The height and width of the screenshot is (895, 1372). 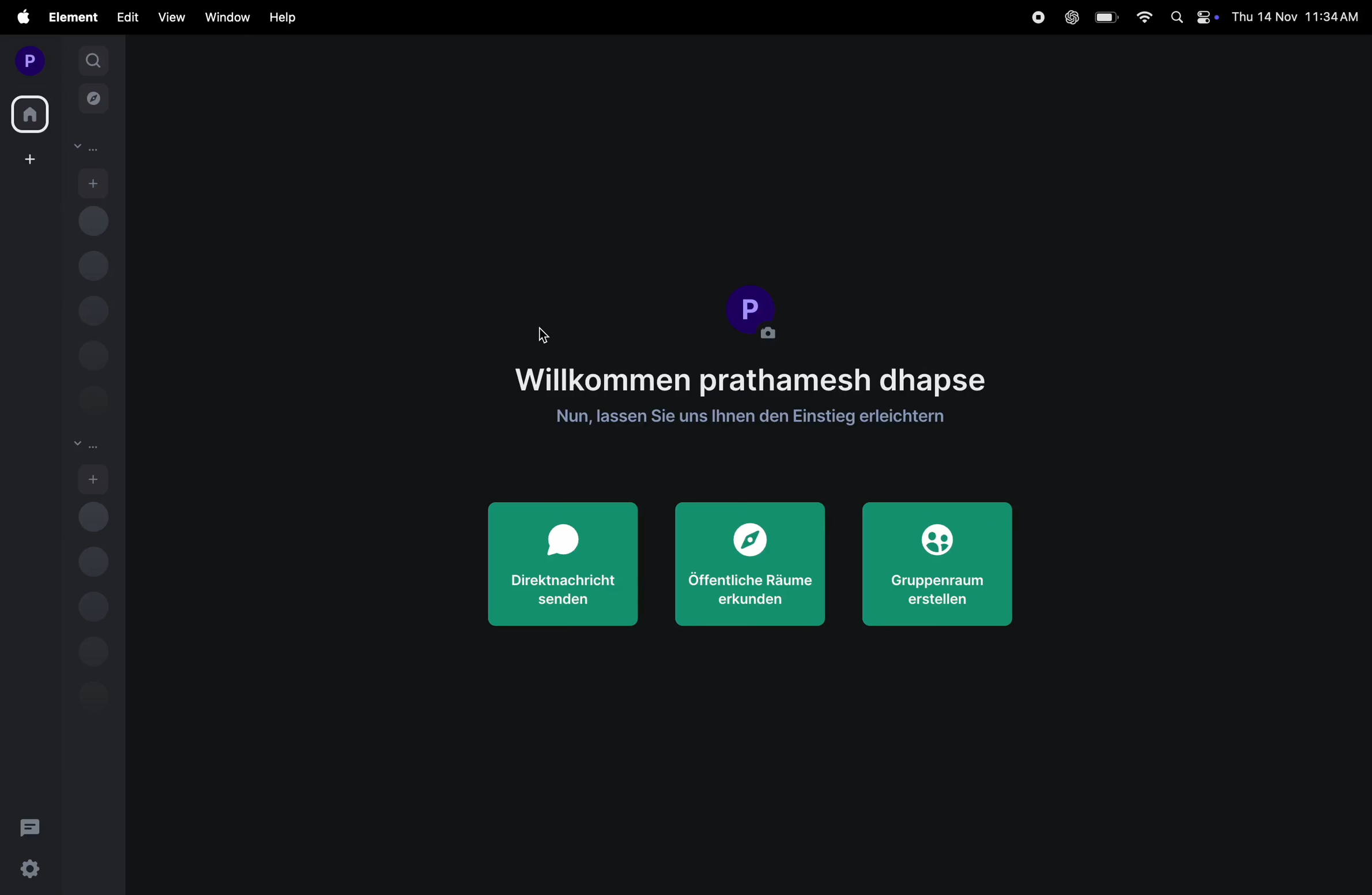 I want to click on people, so click(x=86, y=148).